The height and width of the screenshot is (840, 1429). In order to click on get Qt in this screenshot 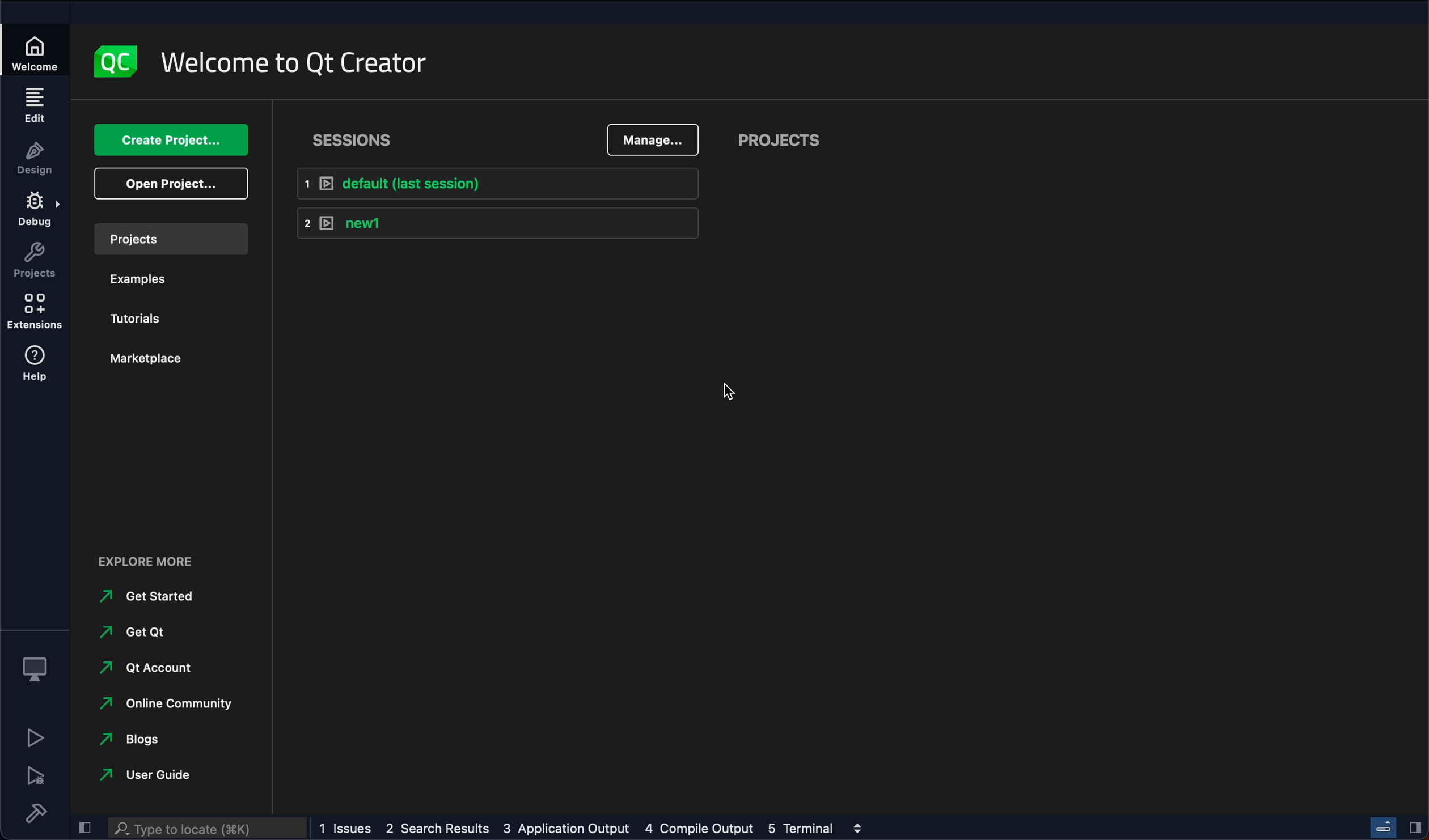, I will do `click(139, 634)`.